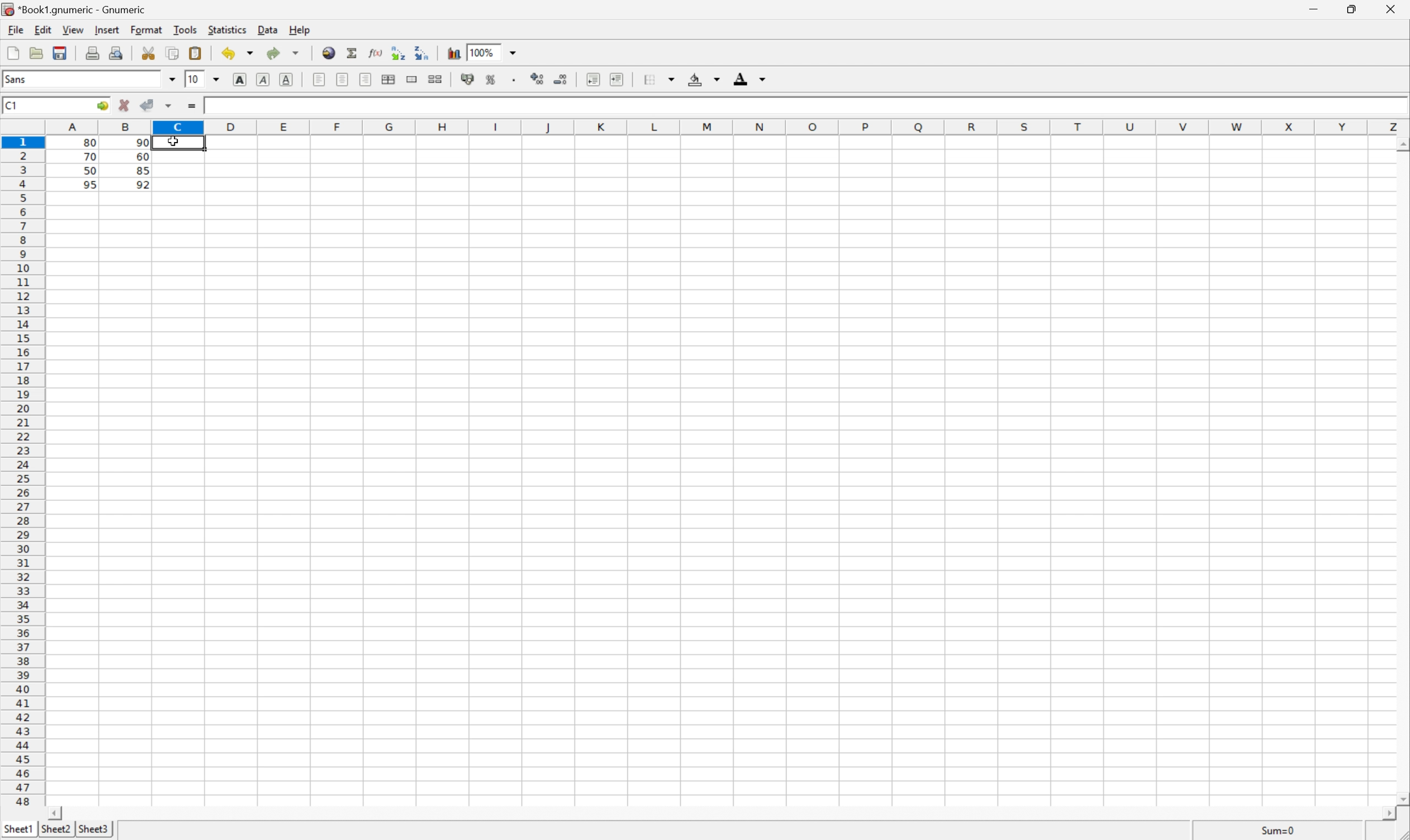  Describe the element at coordinates (288, 79) in the screenshot. I see `Underline` at that location.